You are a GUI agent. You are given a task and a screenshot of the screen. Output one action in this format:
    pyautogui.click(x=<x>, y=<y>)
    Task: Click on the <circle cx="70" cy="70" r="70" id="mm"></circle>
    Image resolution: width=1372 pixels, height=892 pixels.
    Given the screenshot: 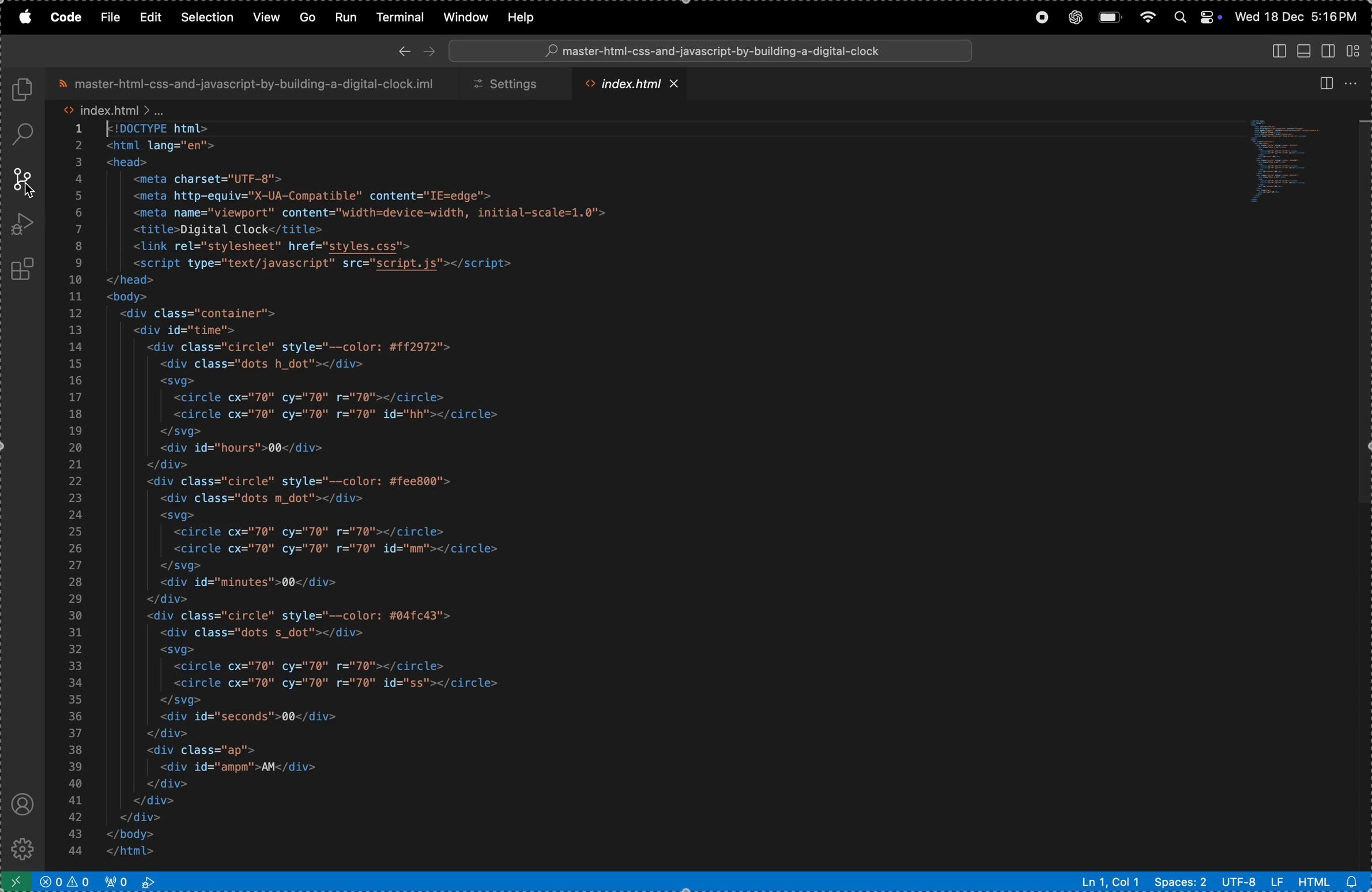 What is the action you would take?
    pyautogui.click(x=336, y=549)
    